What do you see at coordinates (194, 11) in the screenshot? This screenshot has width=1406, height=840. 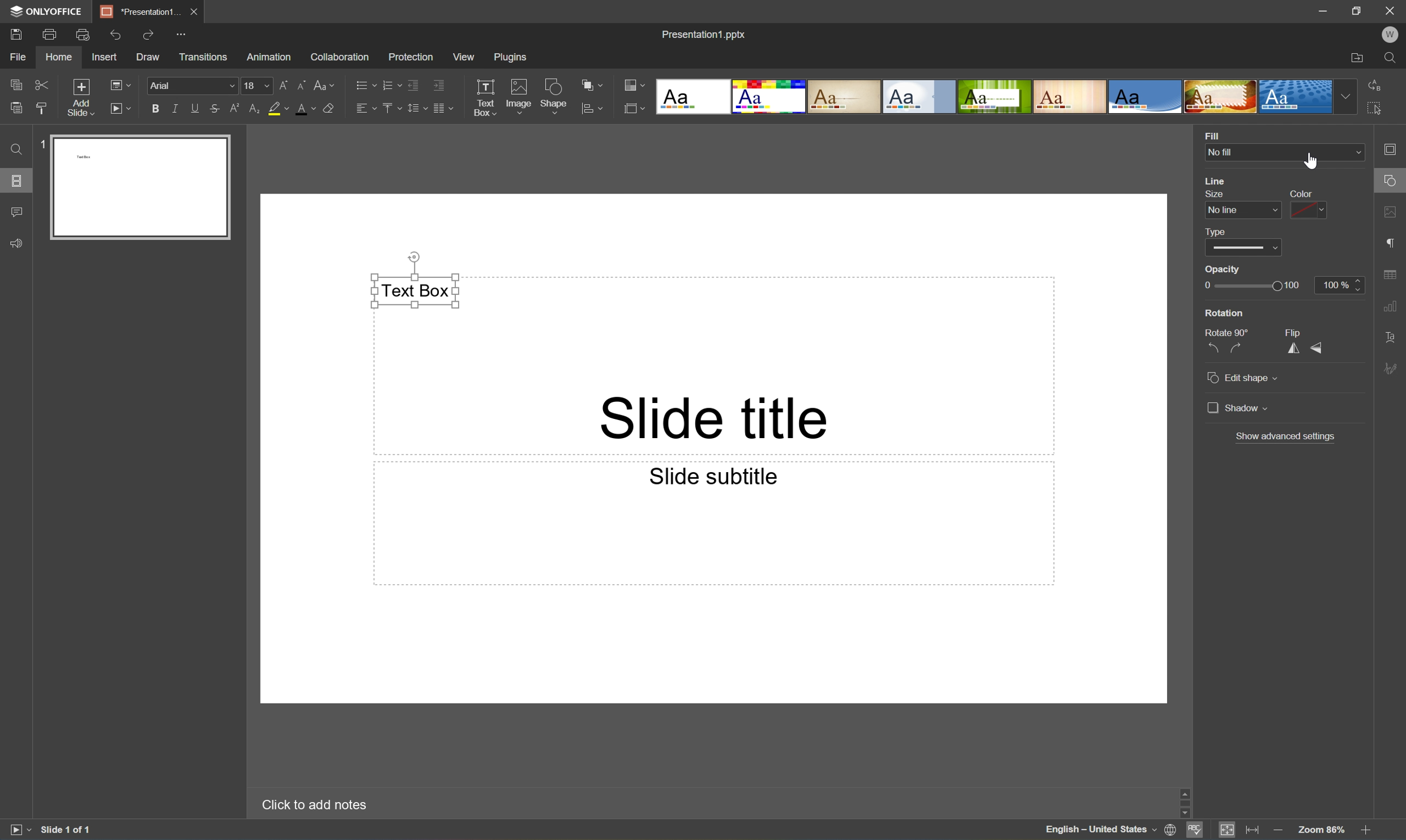 I see `Close` at bounding box center [194, 11].